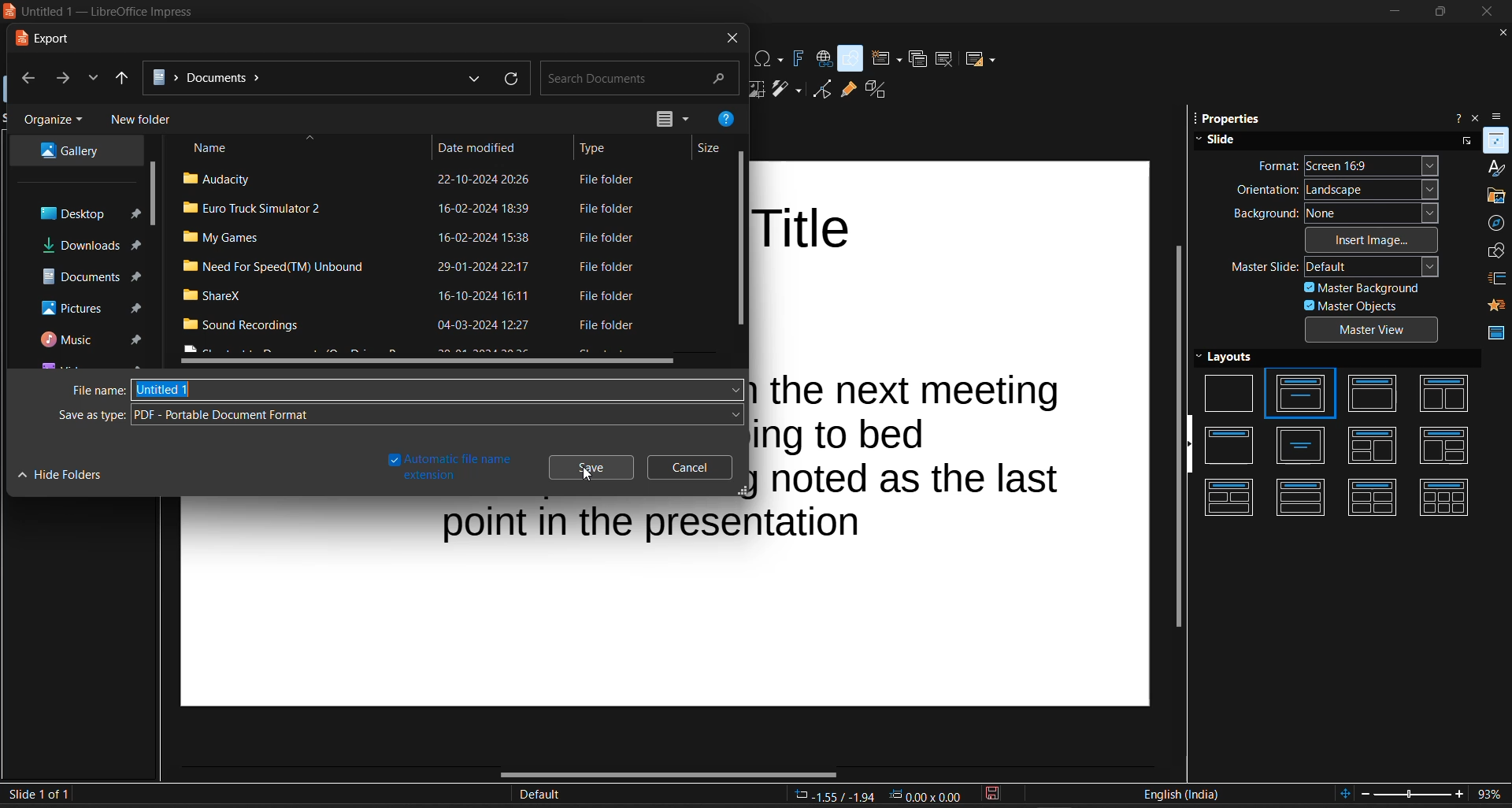  I want to click on Audacity, so click(217, 178).